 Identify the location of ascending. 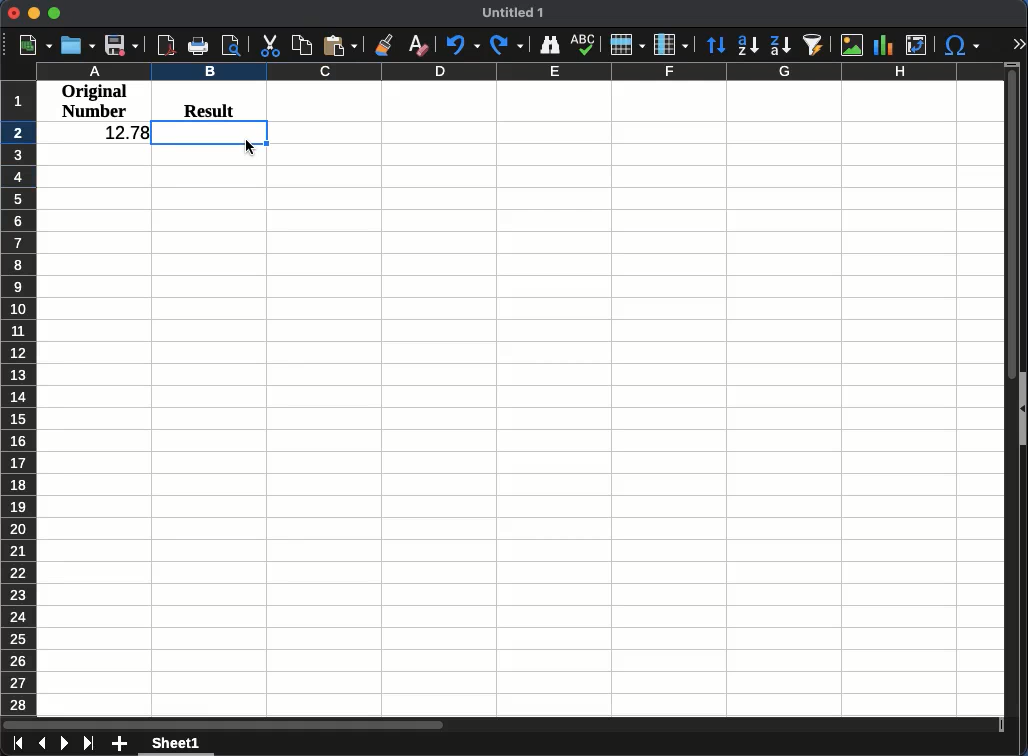
(748, 45).